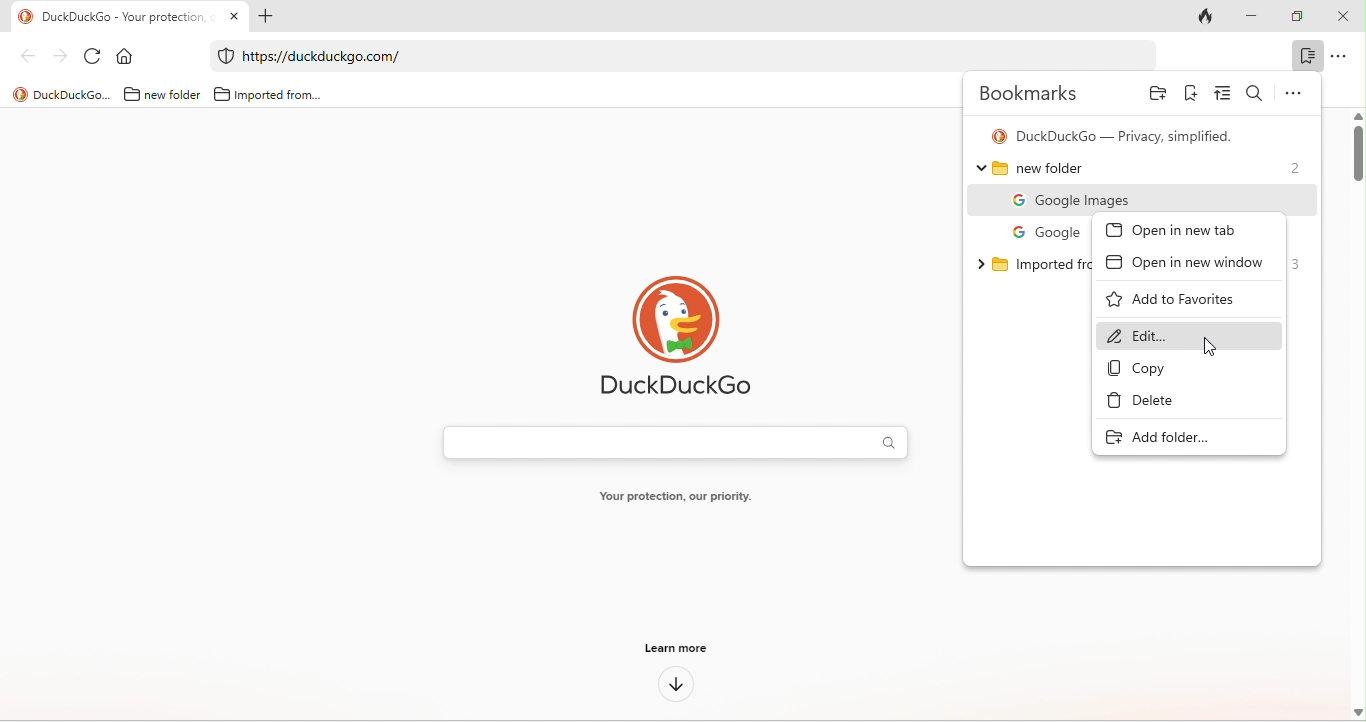 The image size is (1366, 722). I want to click on edit, so click(1185, 333).